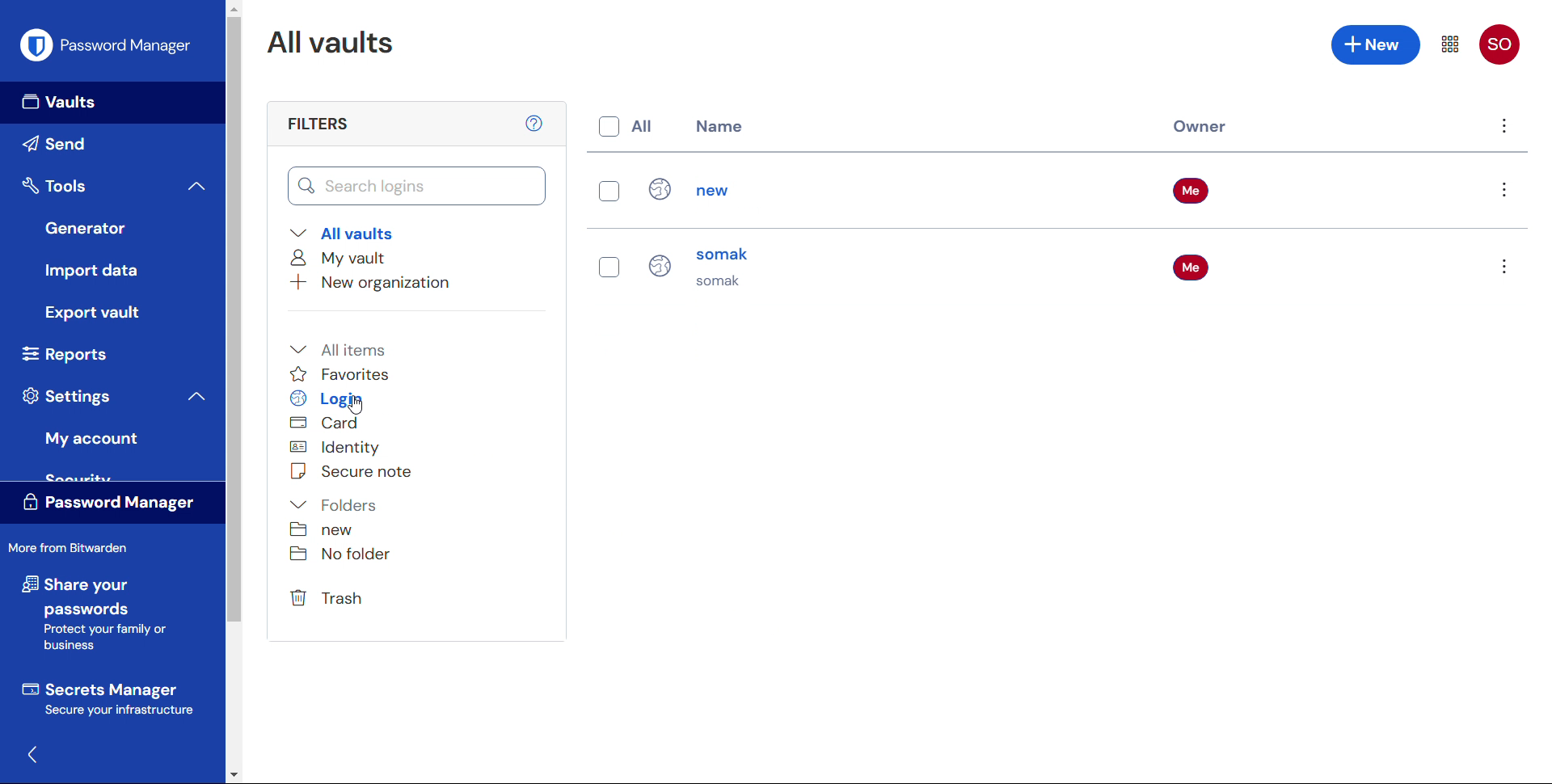  What do you see at coordinates (371, 282) in the screenshot?
I see `Add new organisation ` at bounding box center [371, 282].